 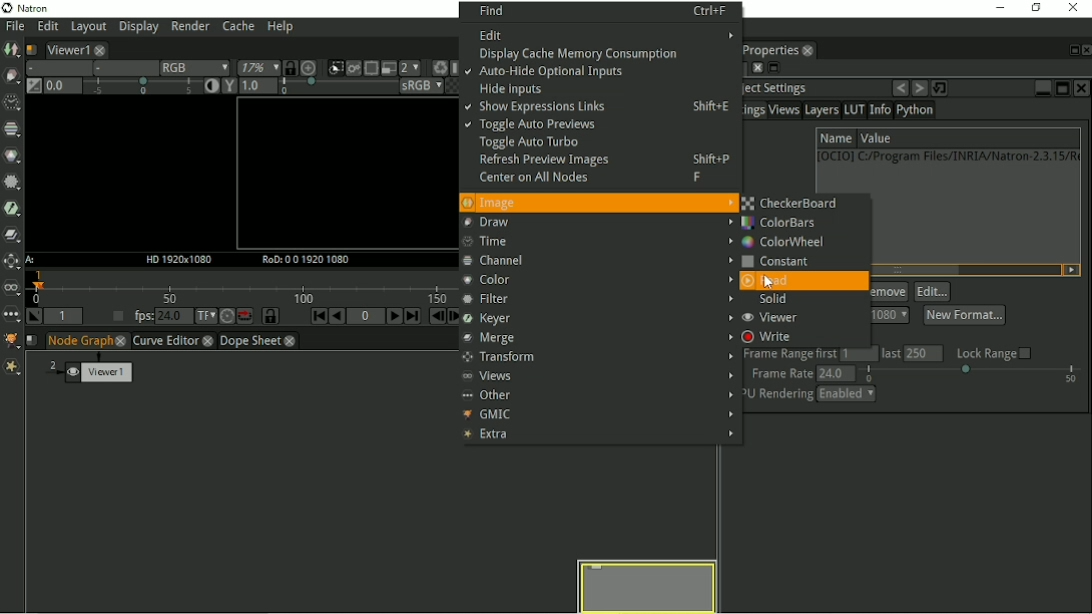 I want to click on Value, so click(x=876, y=139).